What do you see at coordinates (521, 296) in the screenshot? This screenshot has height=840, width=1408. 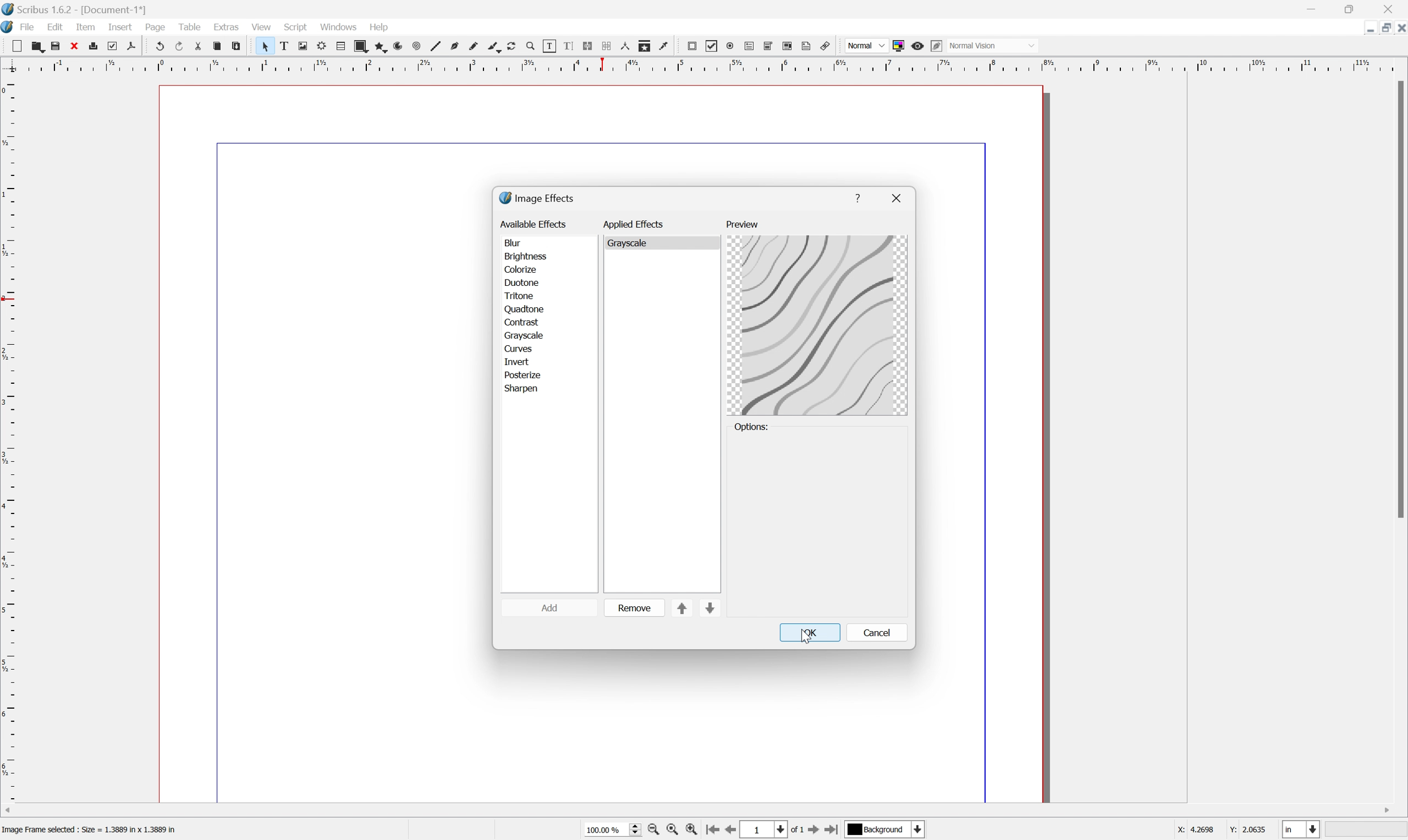 I see `tritone` at bounding box center [521, 296].